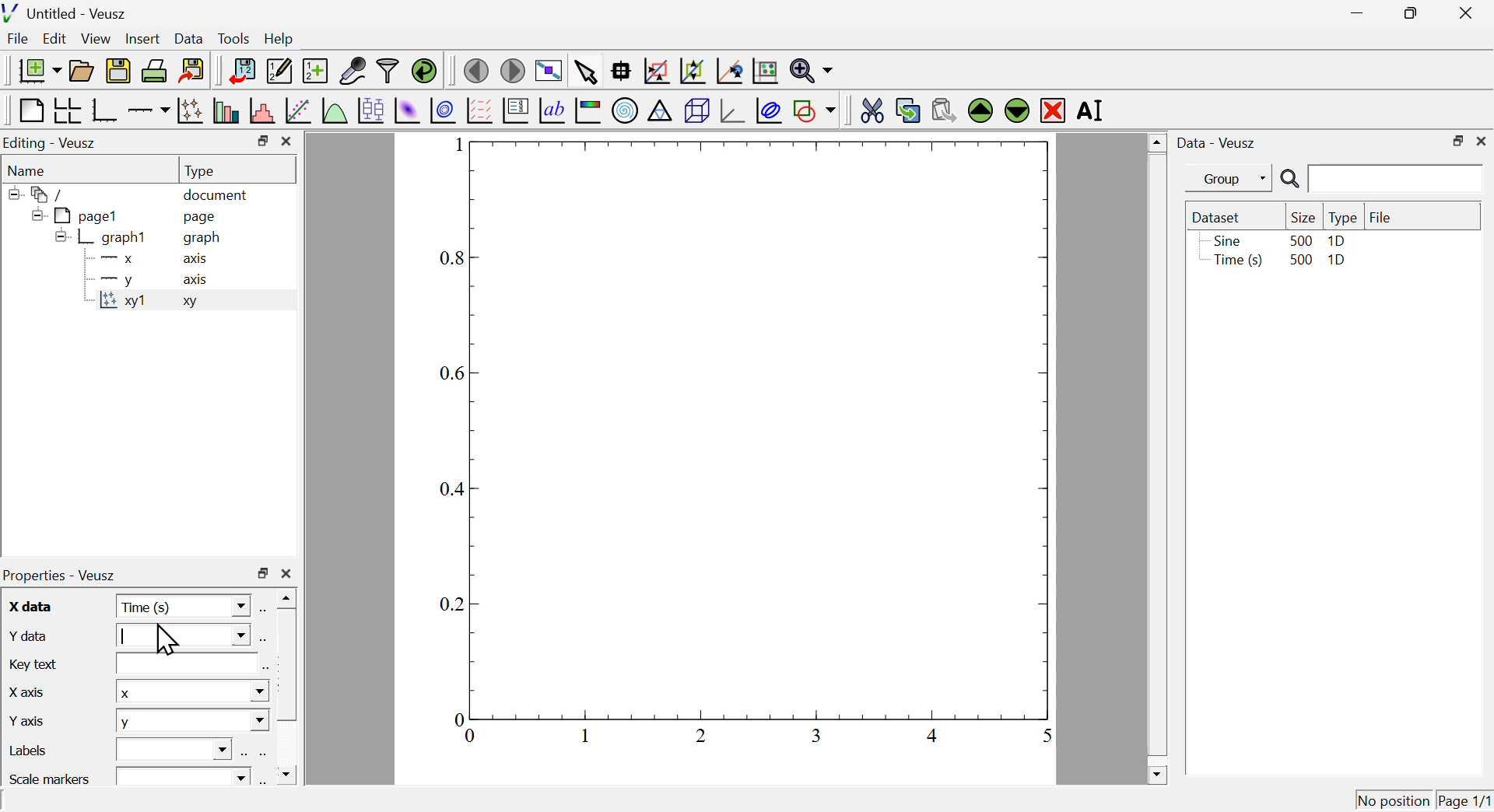 This screenshot has height=812, width=1494. What do you see at coordinates (408, 110) in the screenshot?
I see `plot a 2d dataset as an image` at bounding box center [408, 110].